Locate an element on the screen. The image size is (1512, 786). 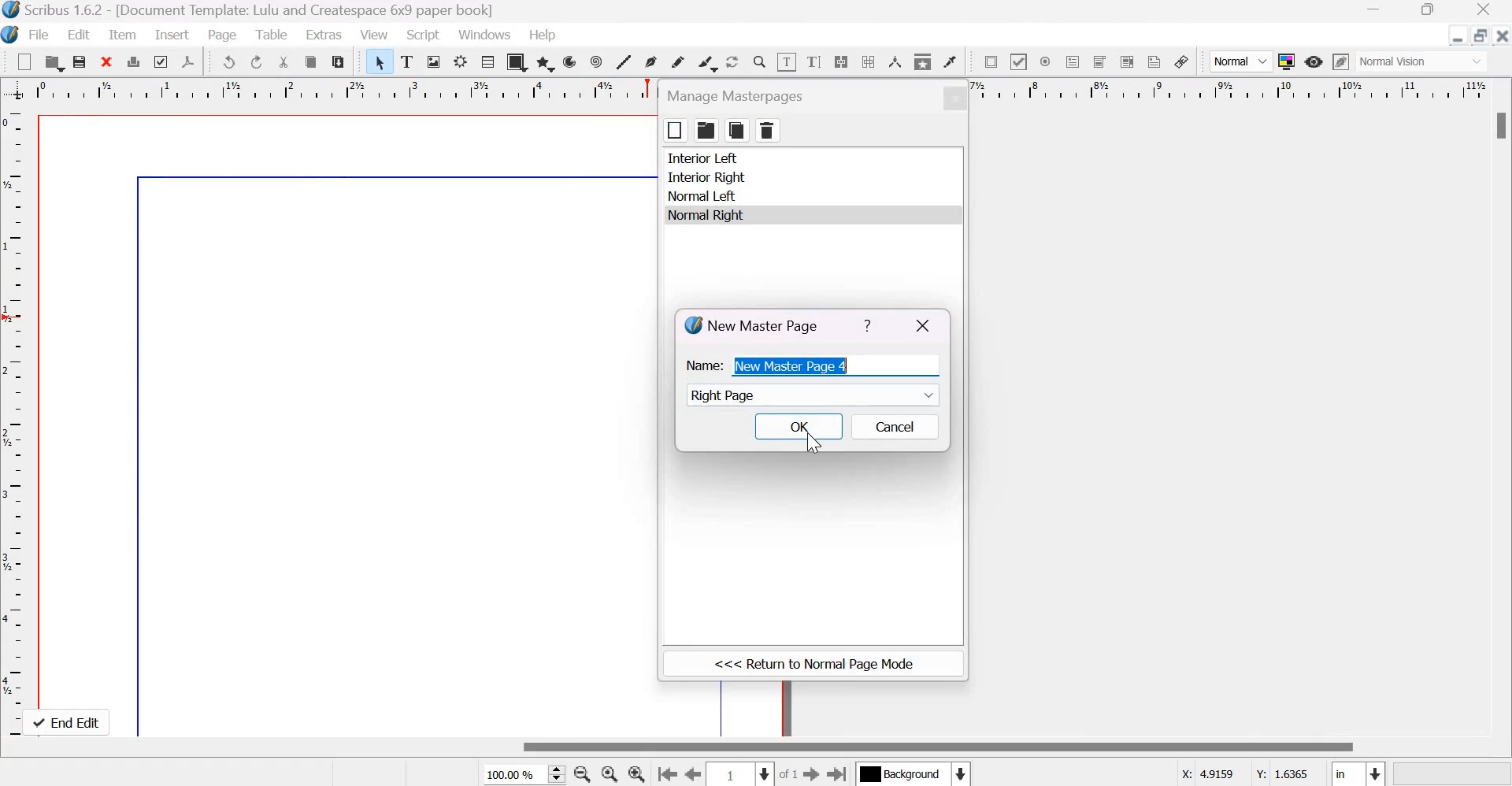
return to normal page mode is located at coordinates (813, 665).